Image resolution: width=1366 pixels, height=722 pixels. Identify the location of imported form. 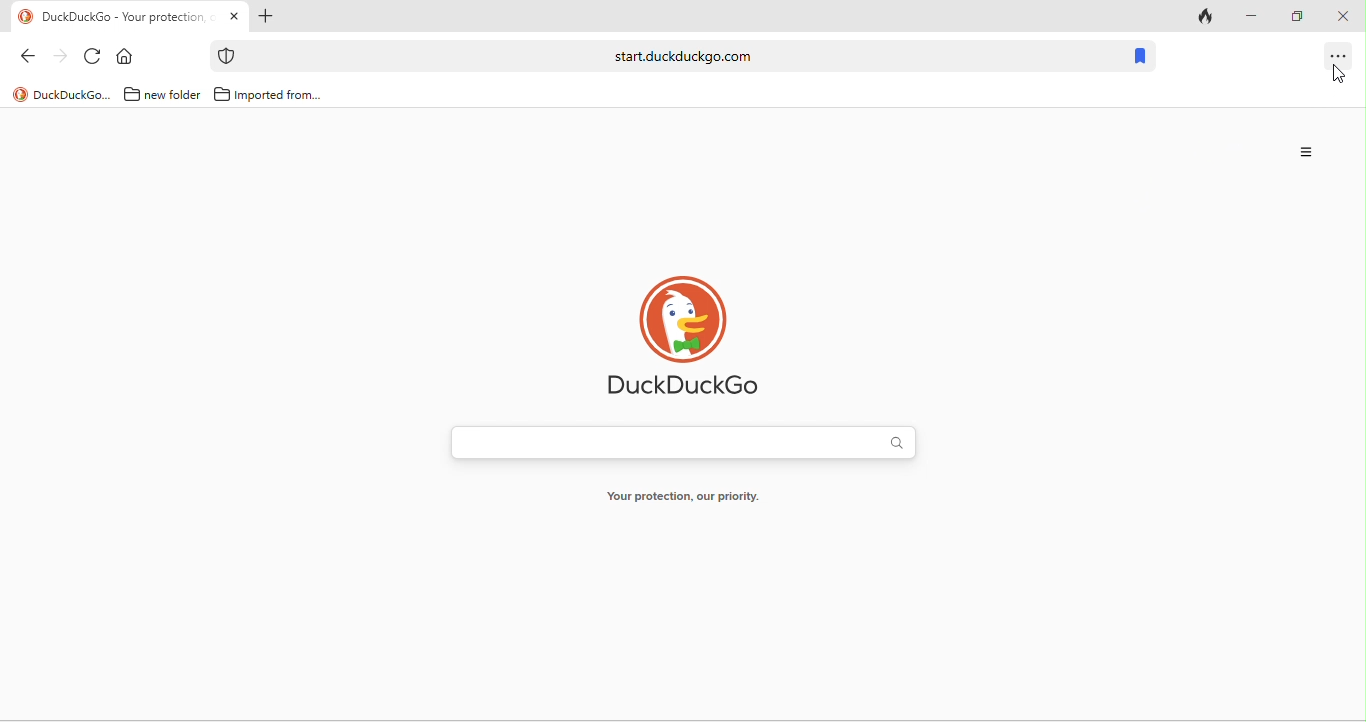
(270, 95).